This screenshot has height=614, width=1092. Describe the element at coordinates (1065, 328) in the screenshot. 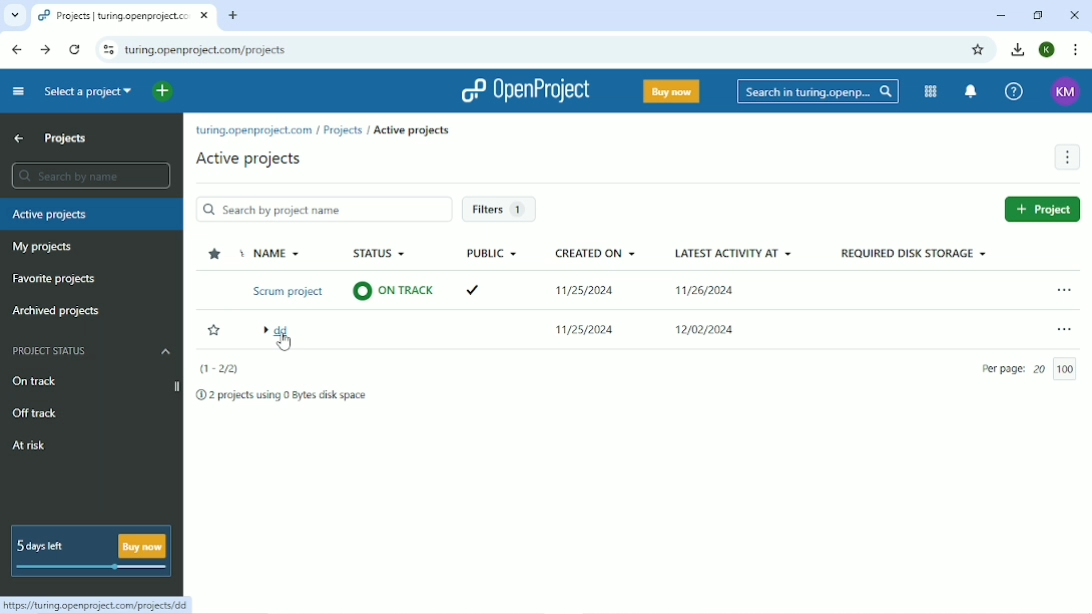

I see `Open menu` at that location.